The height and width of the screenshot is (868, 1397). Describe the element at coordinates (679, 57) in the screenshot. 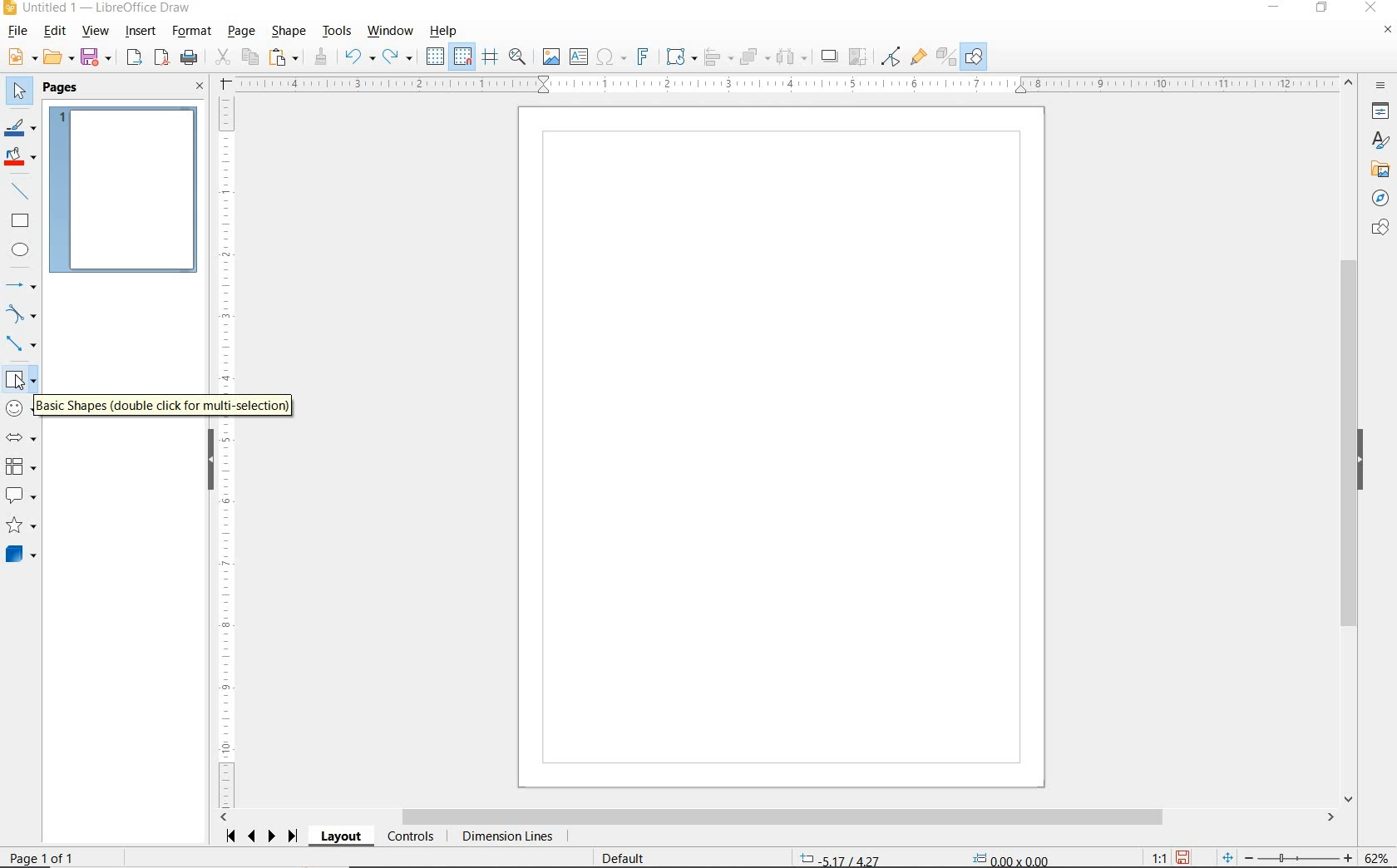

I see `TRANSFORMATIONS` at that location.